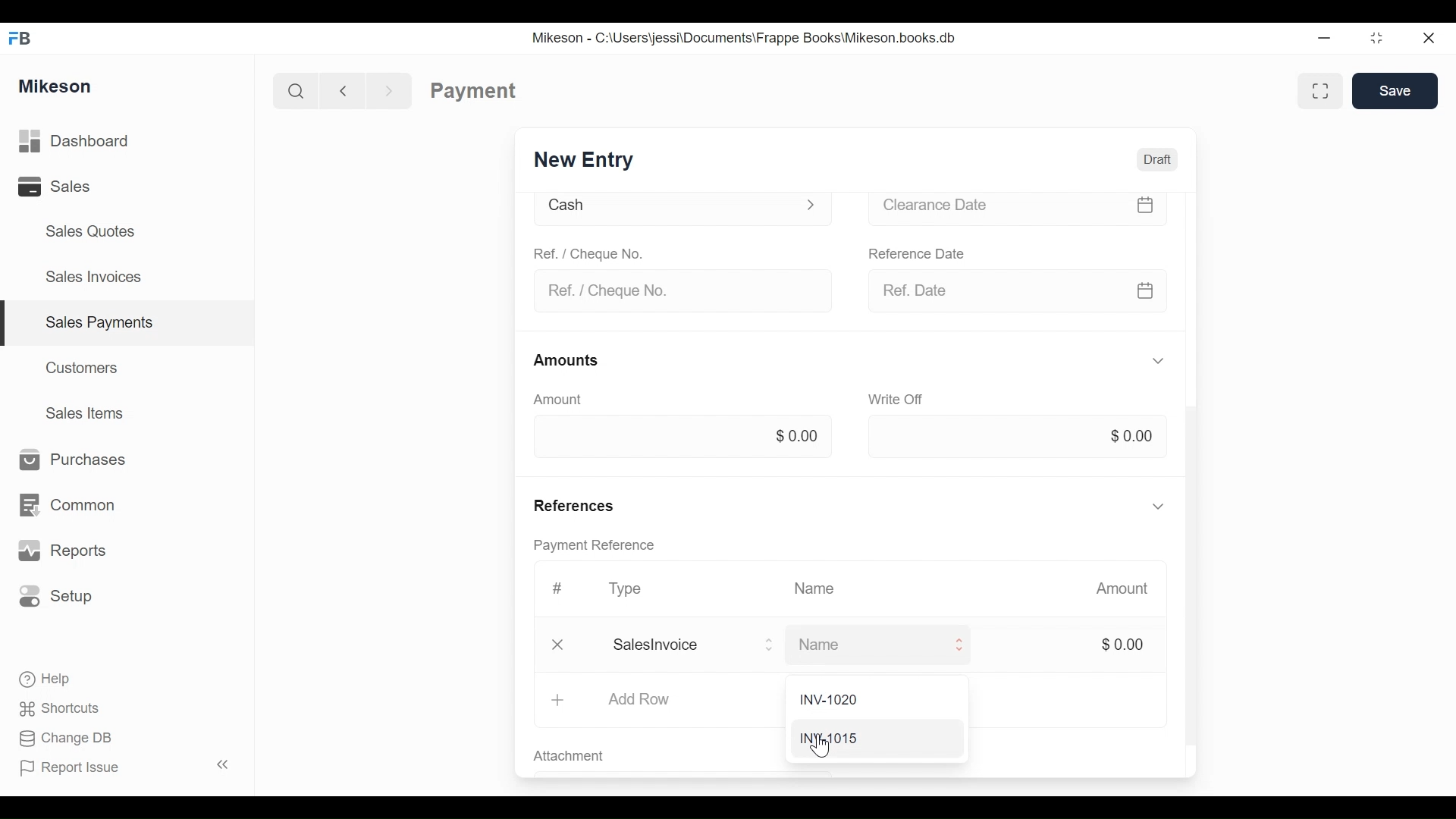 This screenshot has height=819, width=1456. What do you see at coordinates (1426, 36) in the screenshot?
I see `Close` at bounding box center [1426, 36].